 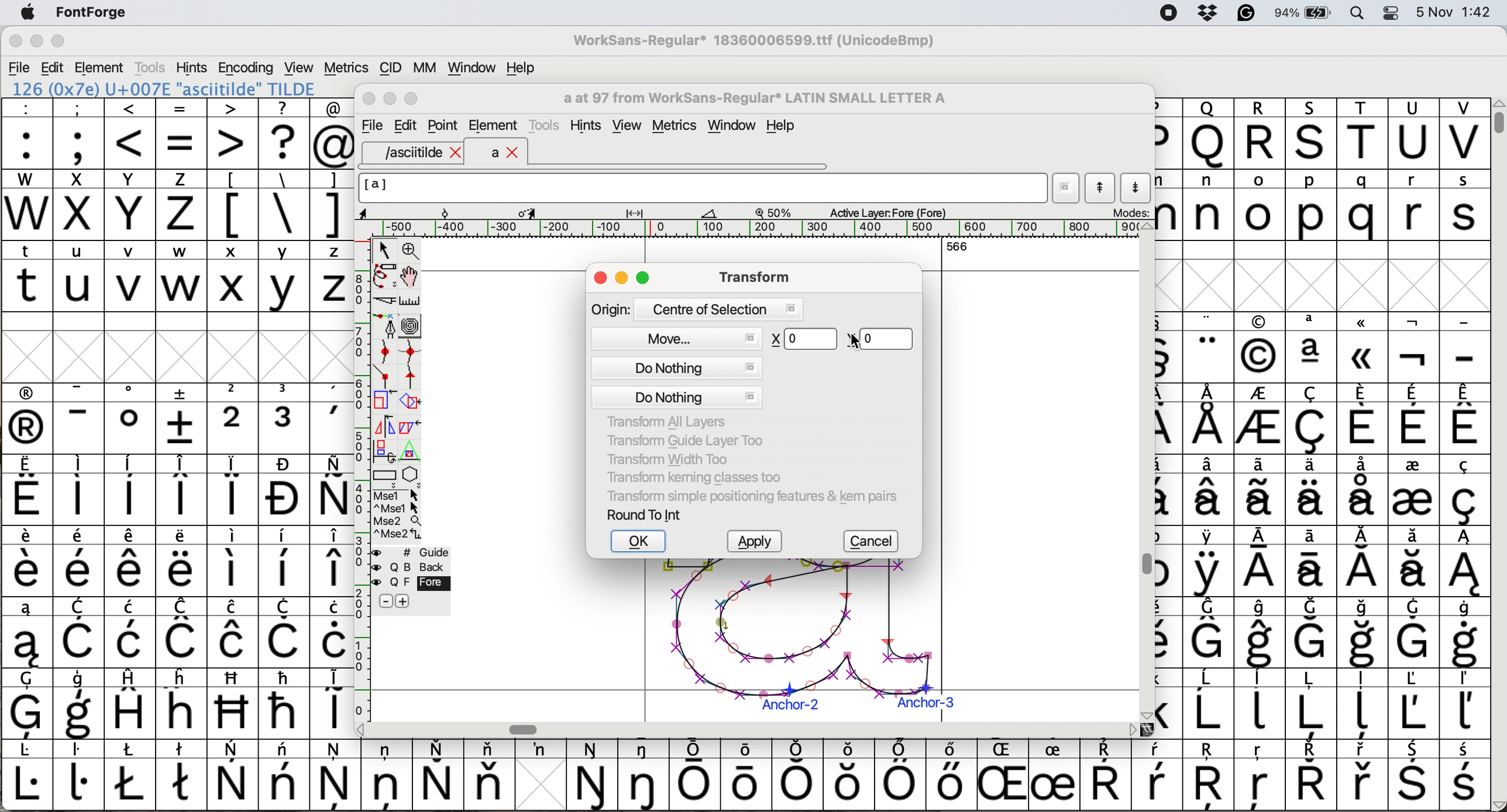 I want to click on rotate the selection, so click(x=416, y=402).